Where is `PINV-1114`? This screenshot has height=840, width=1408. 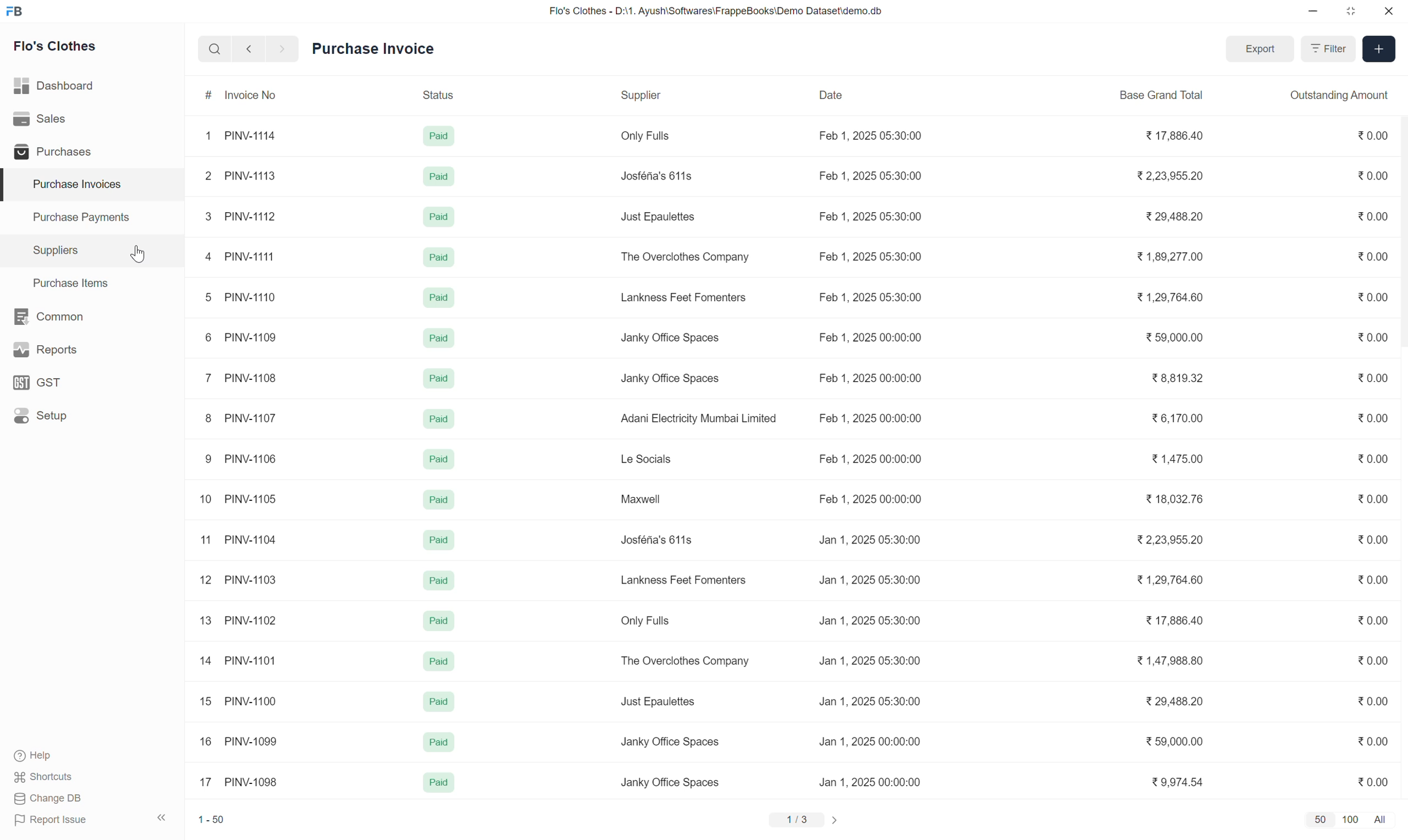
PINV-1114 is located at coordinates (253, 135).